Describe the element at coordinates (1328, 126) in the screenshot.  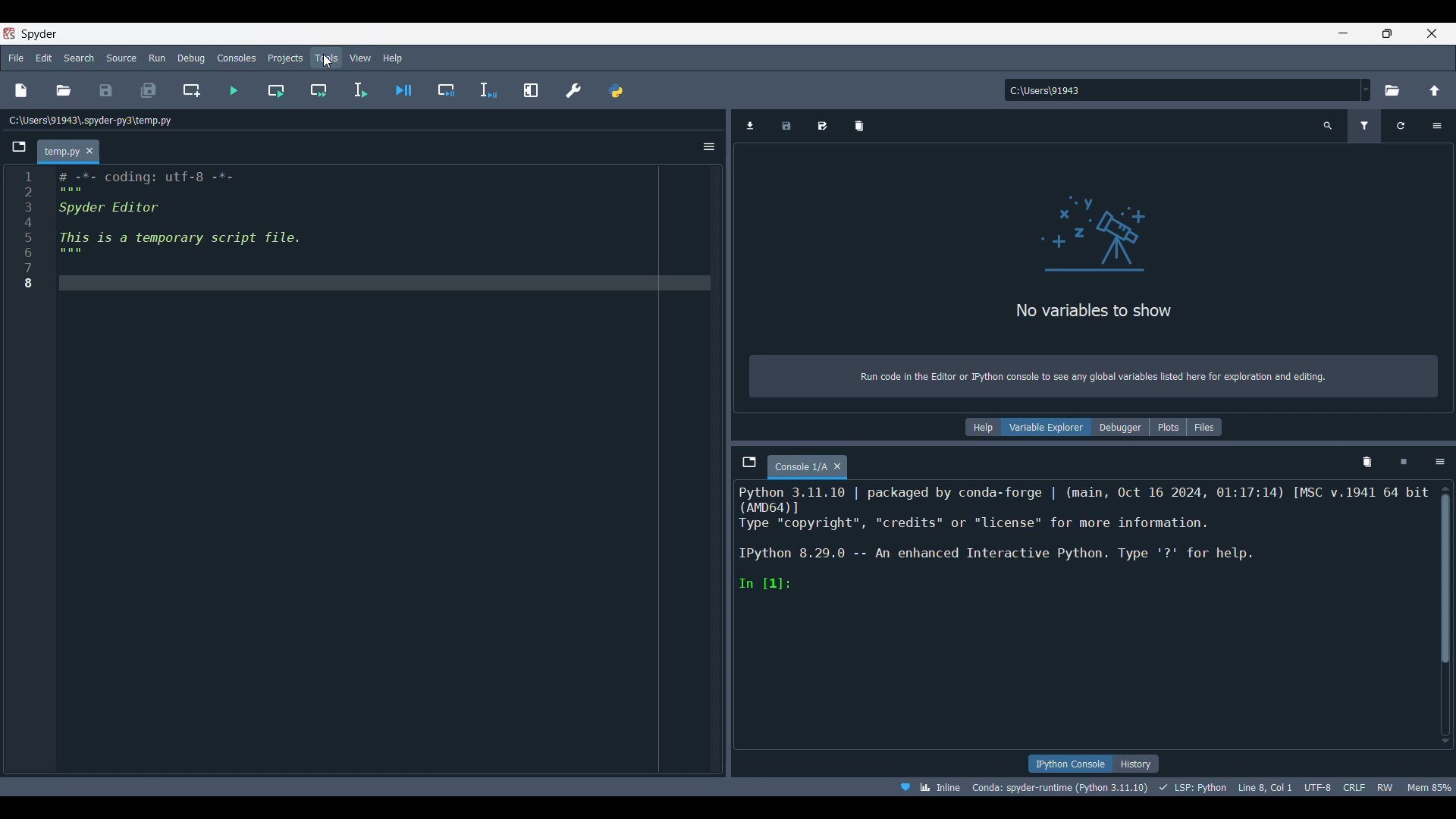
I see `Search variable name and type` at that location.